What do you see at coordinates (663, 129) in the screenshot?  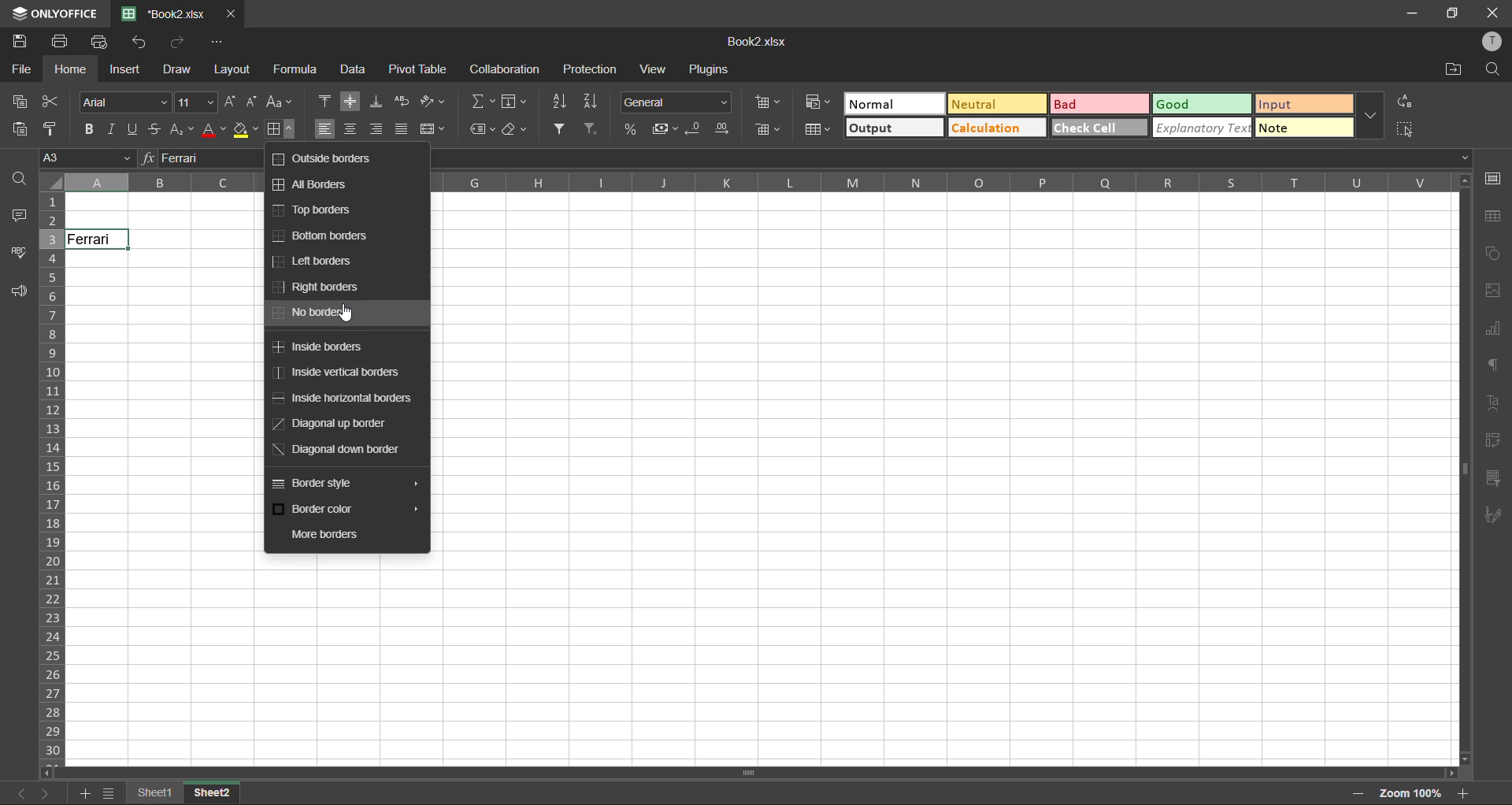 I see `accounting` at bounding box center [663, 129].